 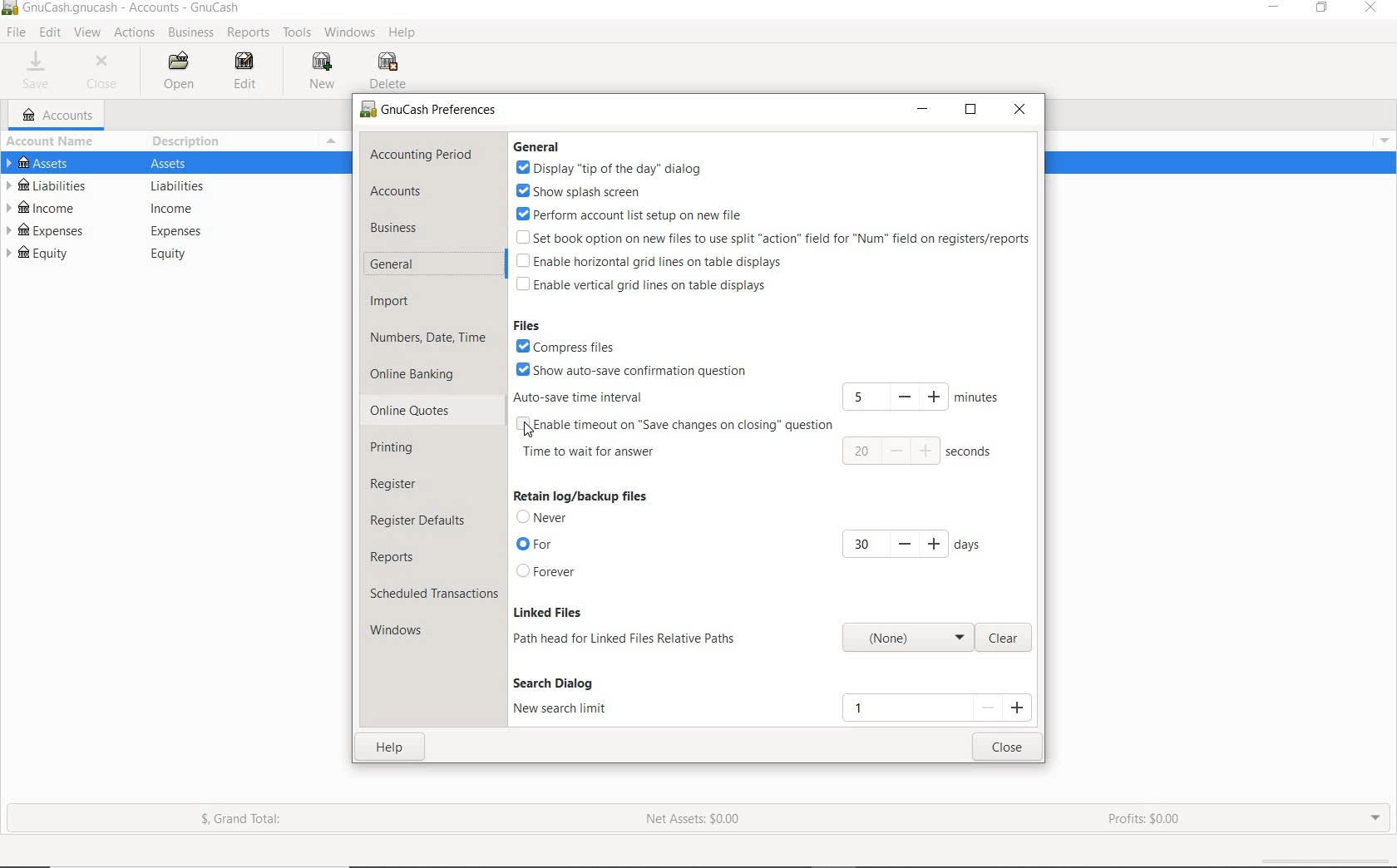 What do you see at coordinates (546, 612) in the screenshot?
I see `linked files` at bounding box center [546, 612].